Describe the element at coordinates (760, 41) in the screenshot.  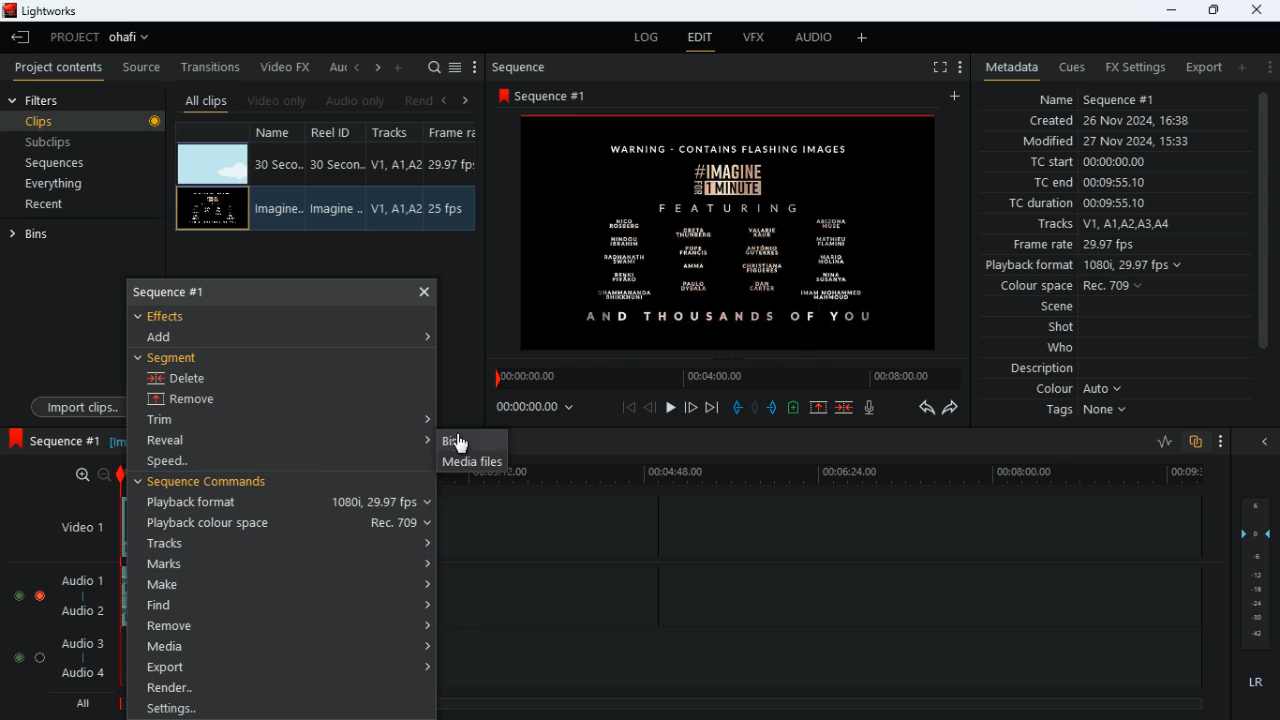
I see `vfx` at that location.